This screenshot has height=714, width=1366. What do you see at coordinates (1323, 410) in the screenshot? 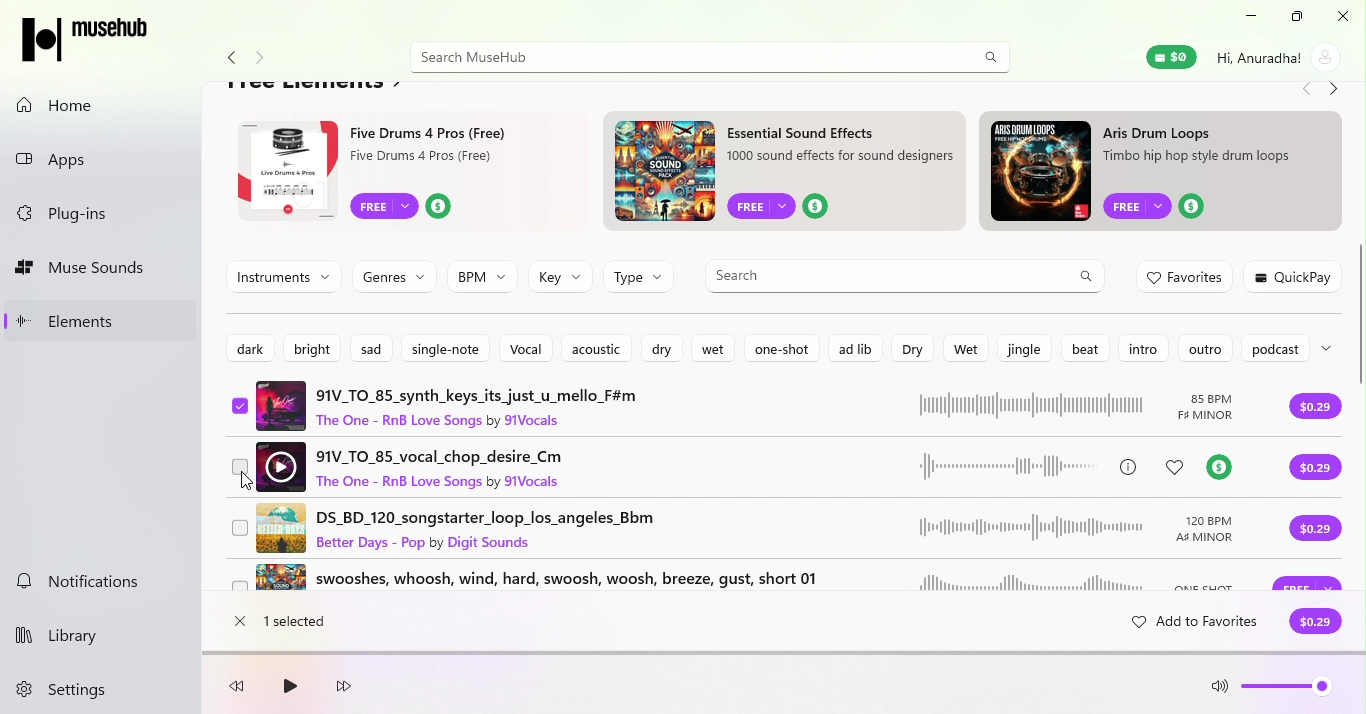
I see `Purchase` at bounding box center [1323, 410].